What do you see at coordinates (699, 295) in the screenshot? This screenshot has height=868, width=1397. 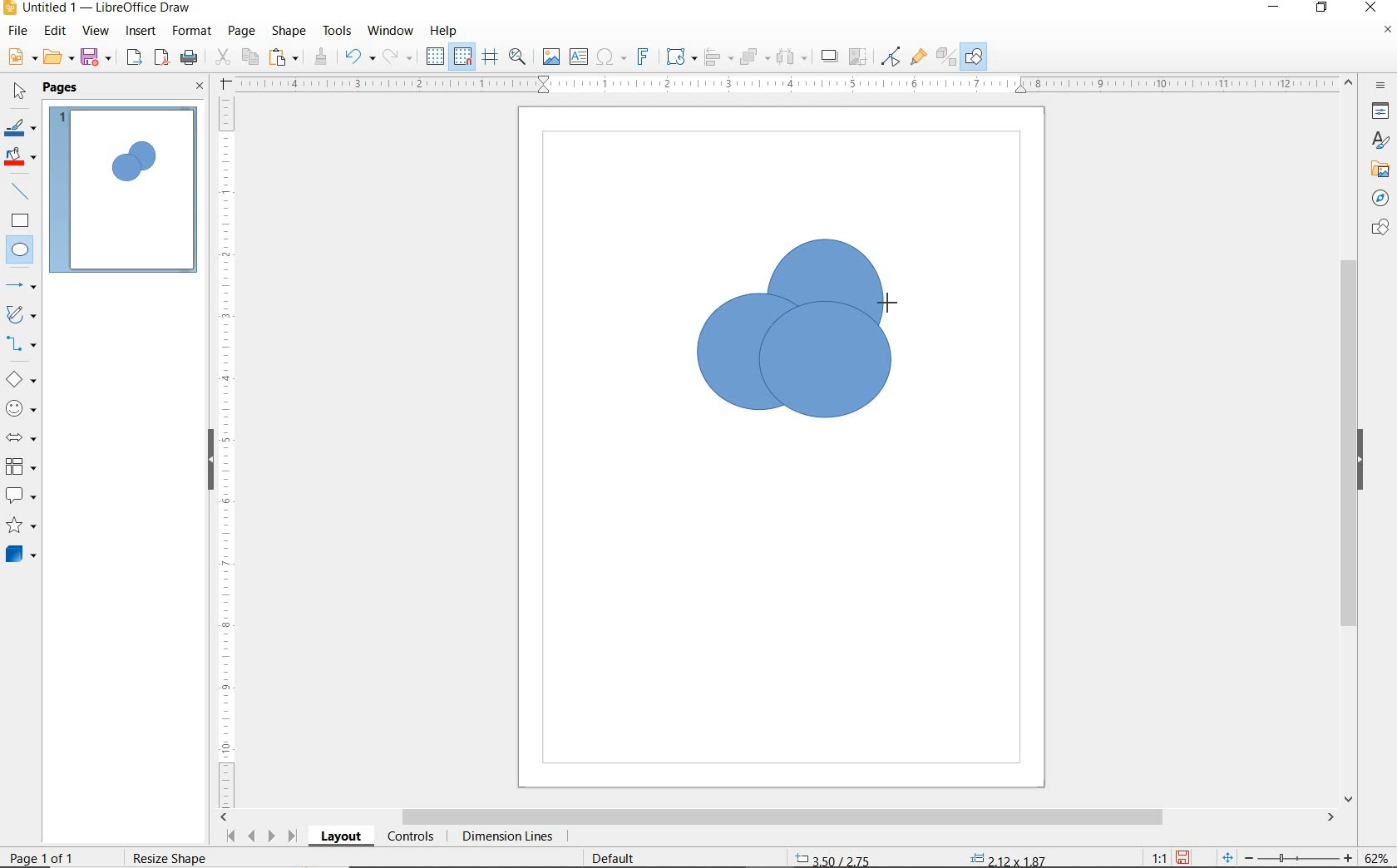 I see `ELLIPSE TOOL AT DRAG` at bounding box center [699, 295].